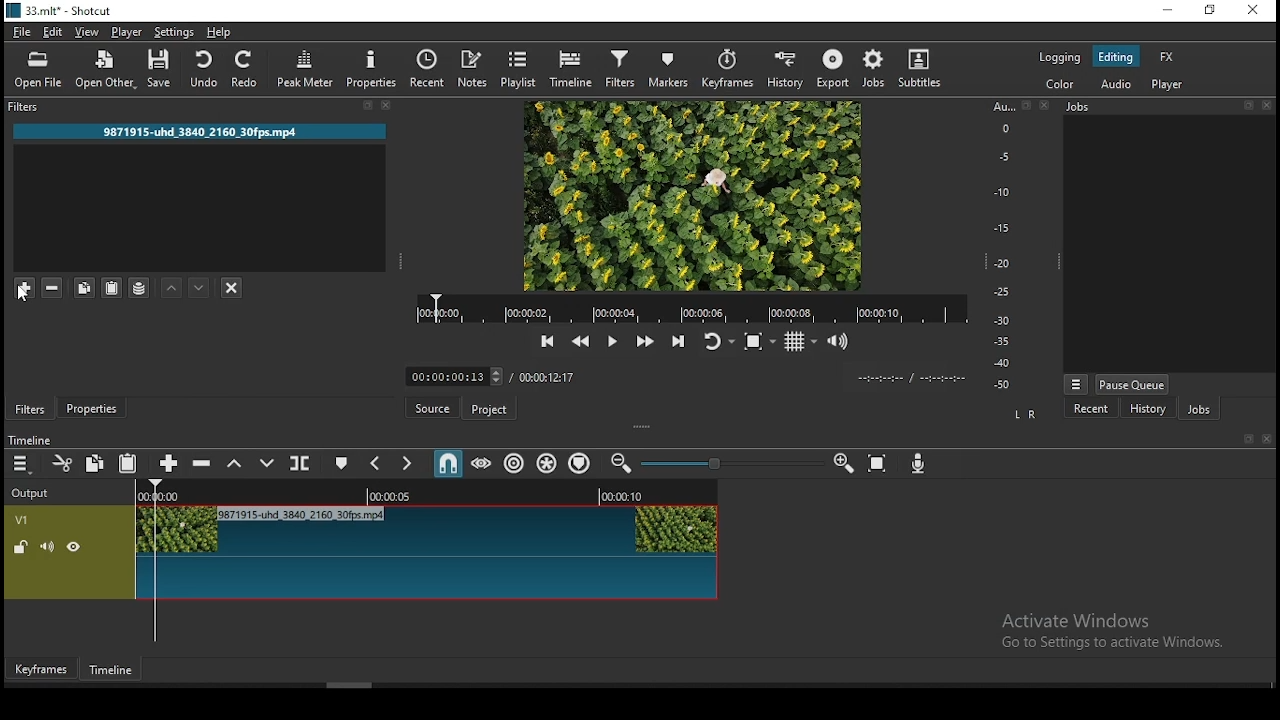  I want to click on 0, so click(1007, 129).